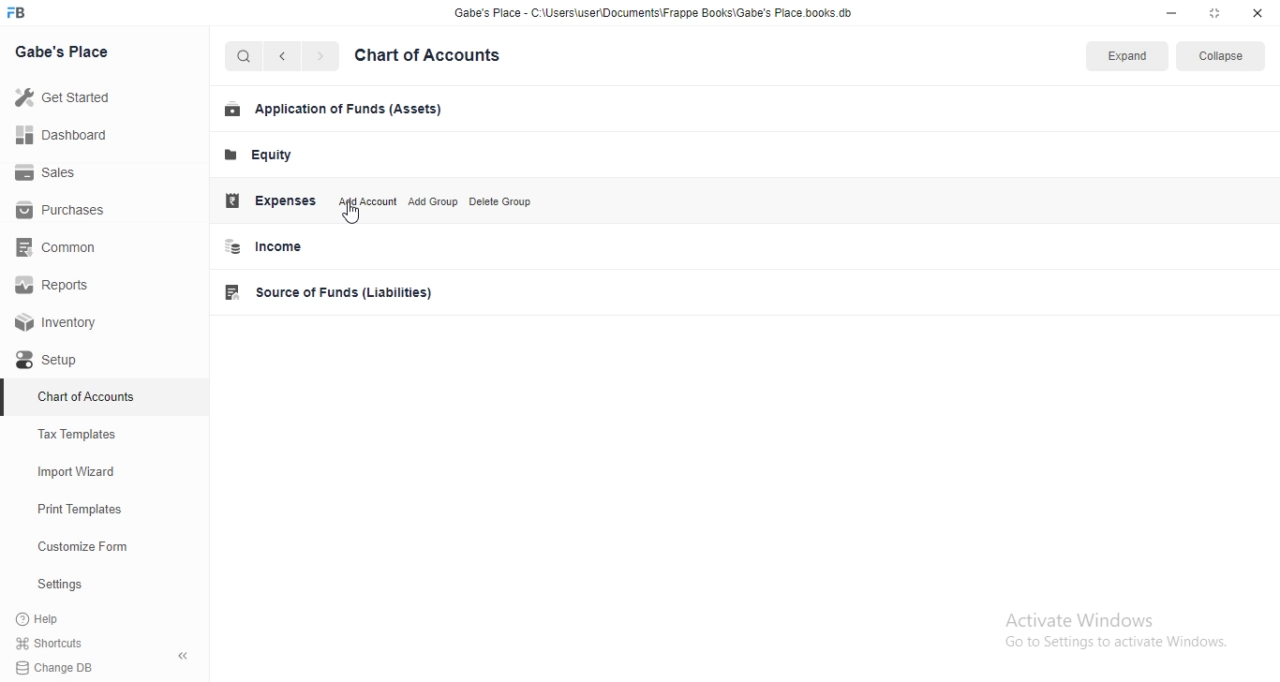  What do you see at coordinates (50, 173) in the screenshot?
I see `Sales` at bounding box center [50, 173].